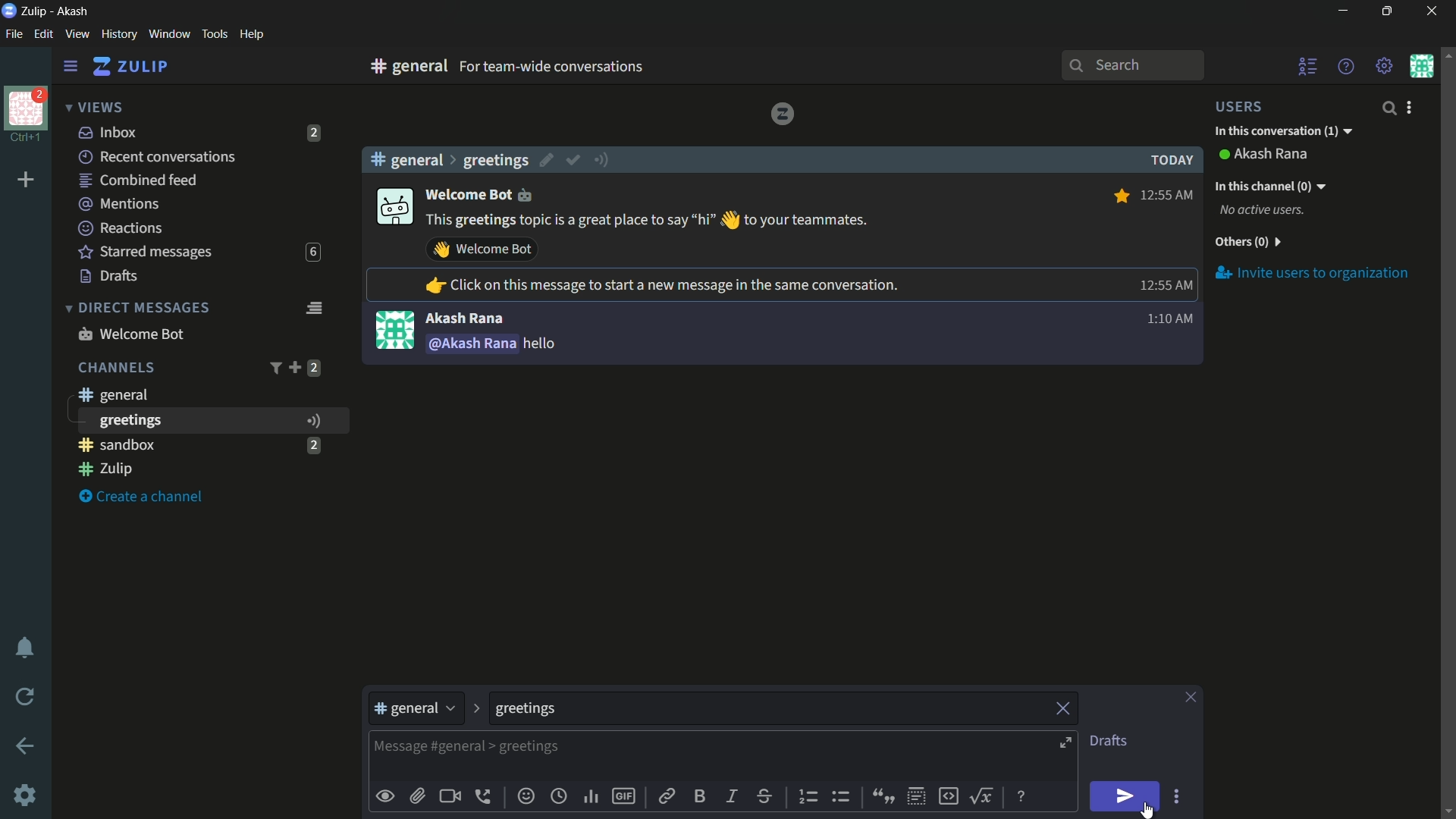 The height and width of the screenshot is (819, 1456). I want to click on users, so click(1248, 106).